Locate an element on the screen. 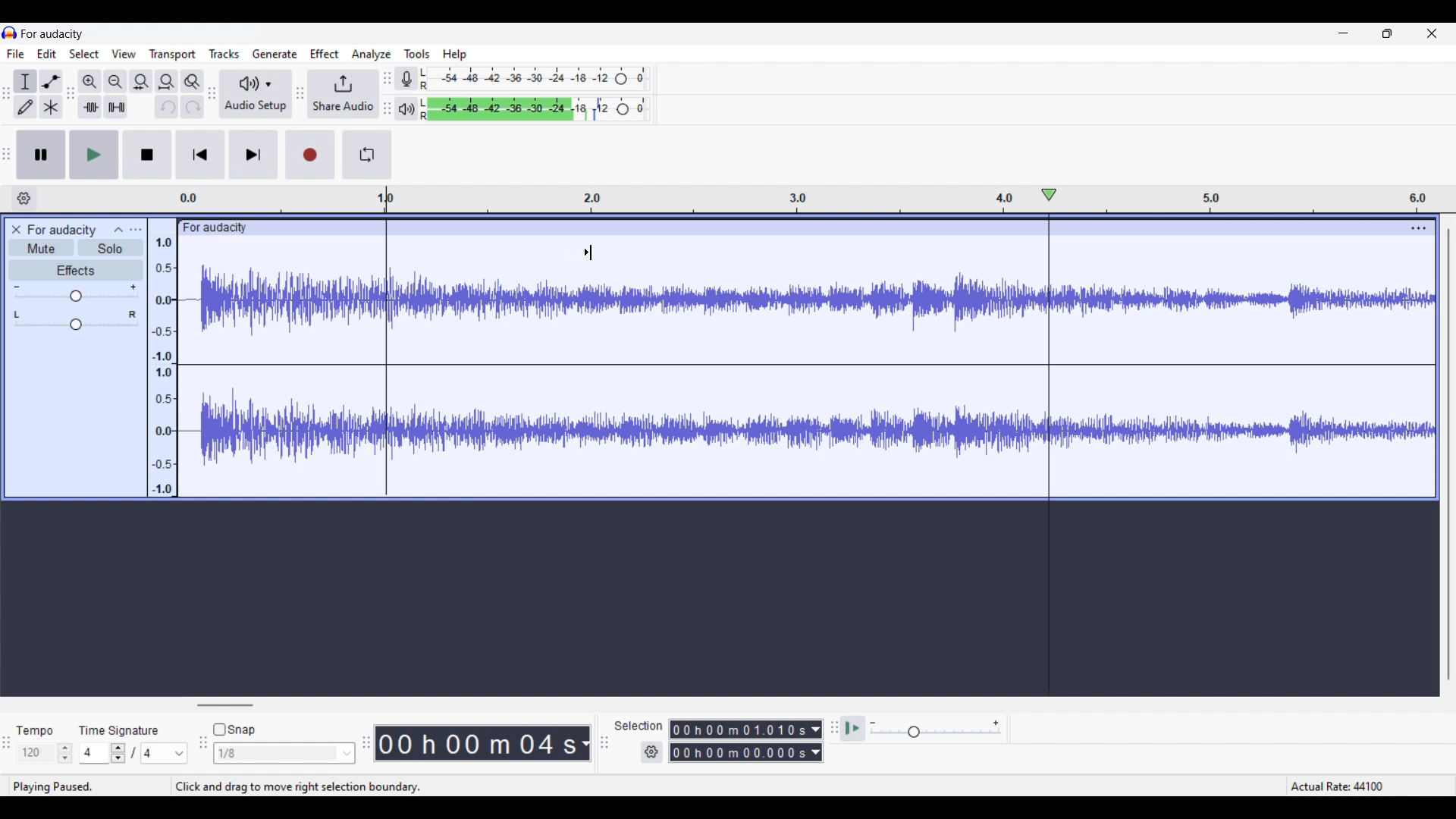 This screenshot has width=1456, height=819. Pan scale is located at coordinates (75, 320).